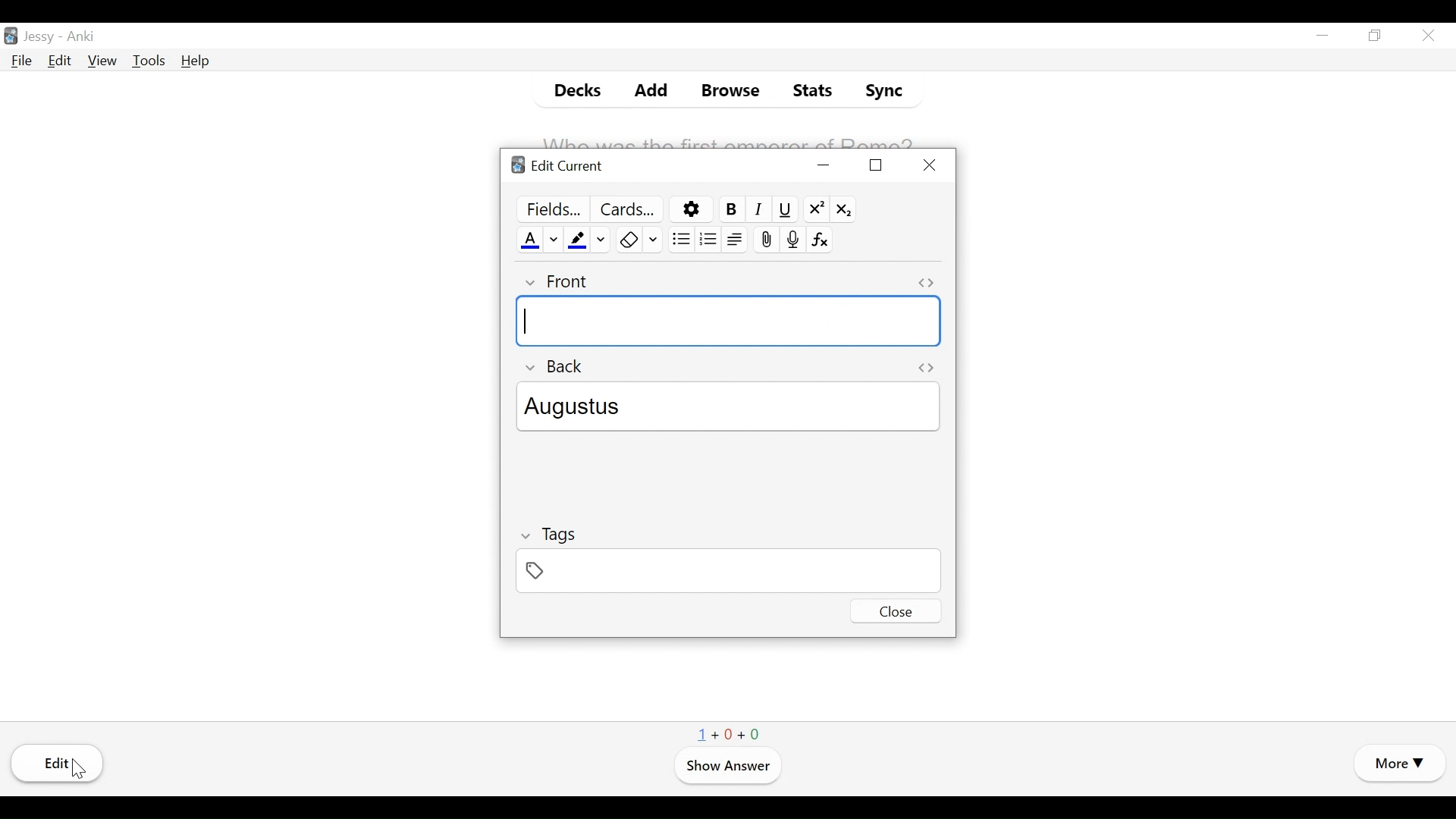 This screenshot has width=1456, height=819. What do you see at coordinates (730, 322) in the screenshot?
I see `Front template` at bounding box center [730, 322].